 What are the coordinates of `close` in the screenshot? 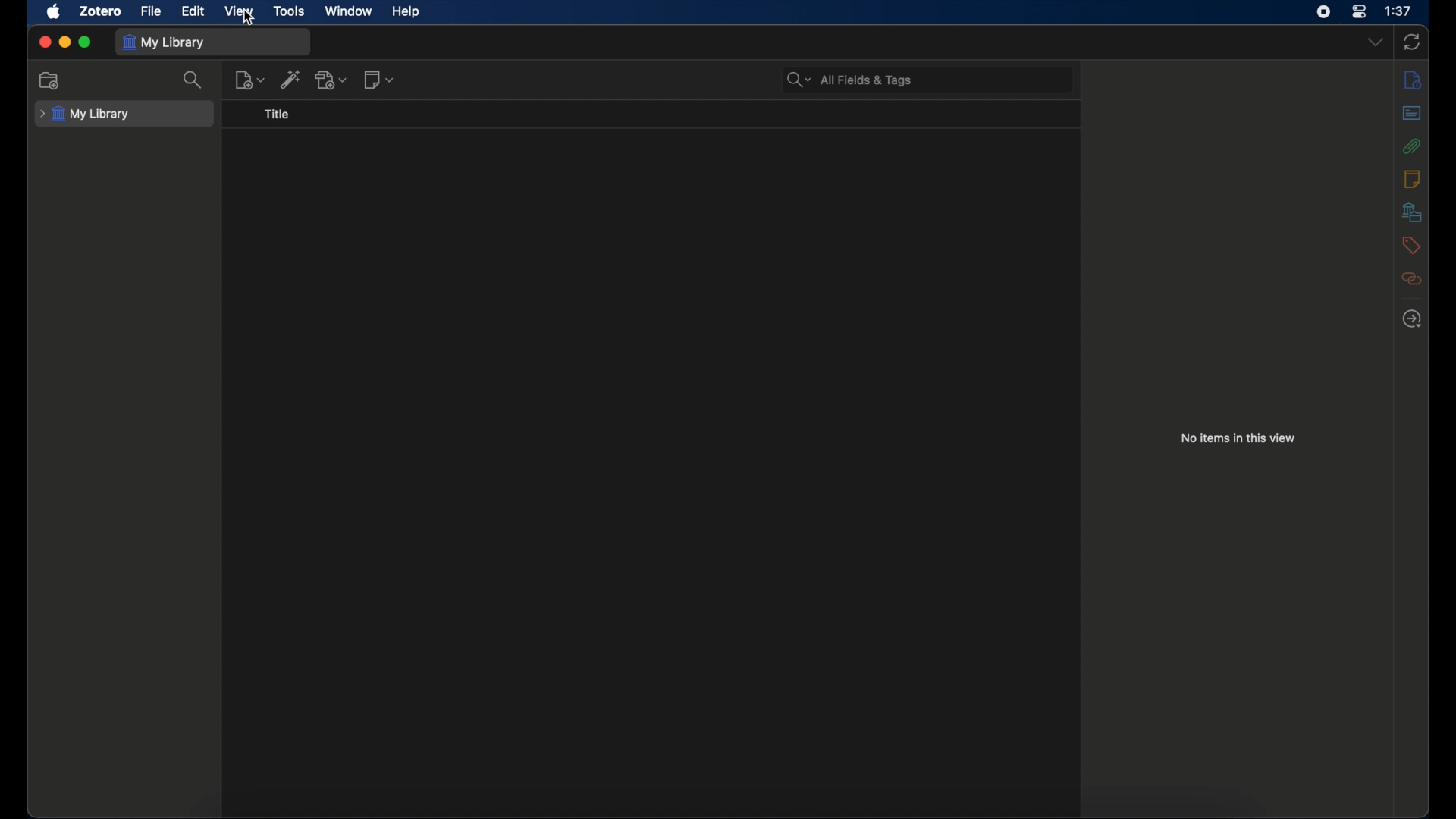 It's located at (42, 42).